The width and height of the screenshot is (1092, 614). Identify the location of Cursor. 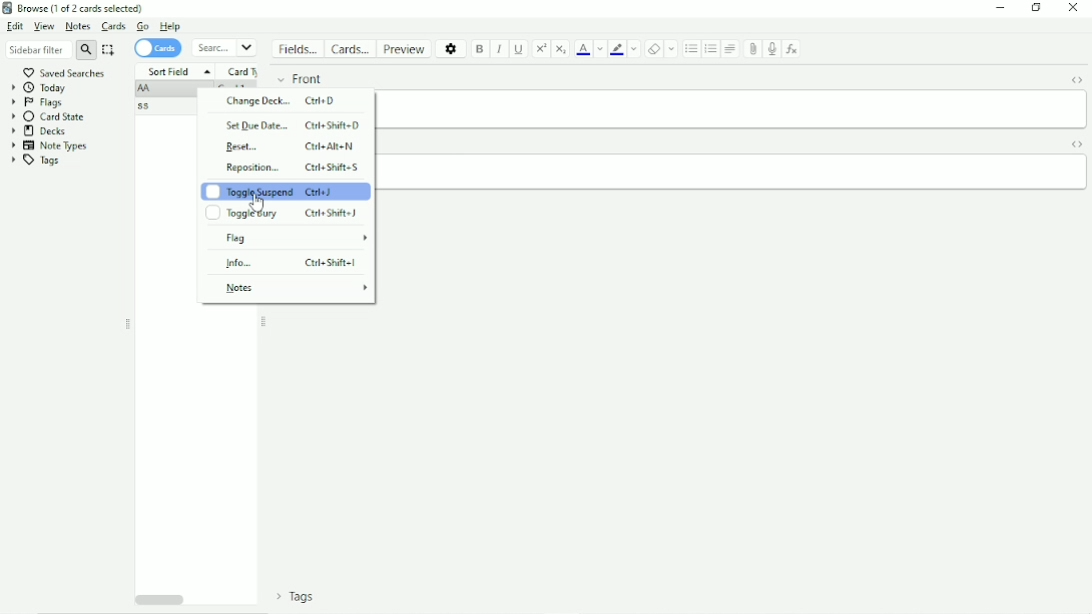
(260, 204).